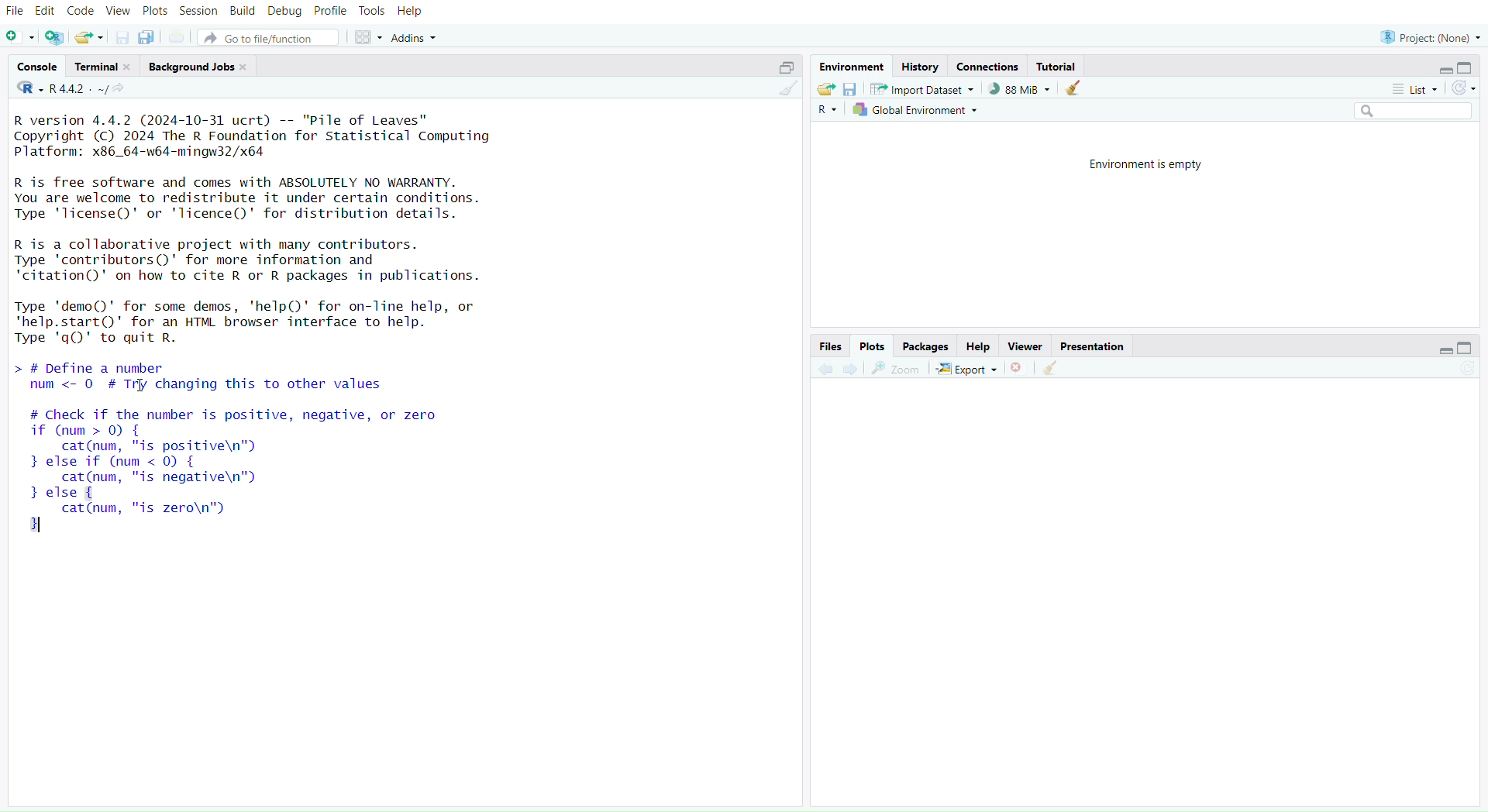  I want to click on collapse, so click(1469, 68).